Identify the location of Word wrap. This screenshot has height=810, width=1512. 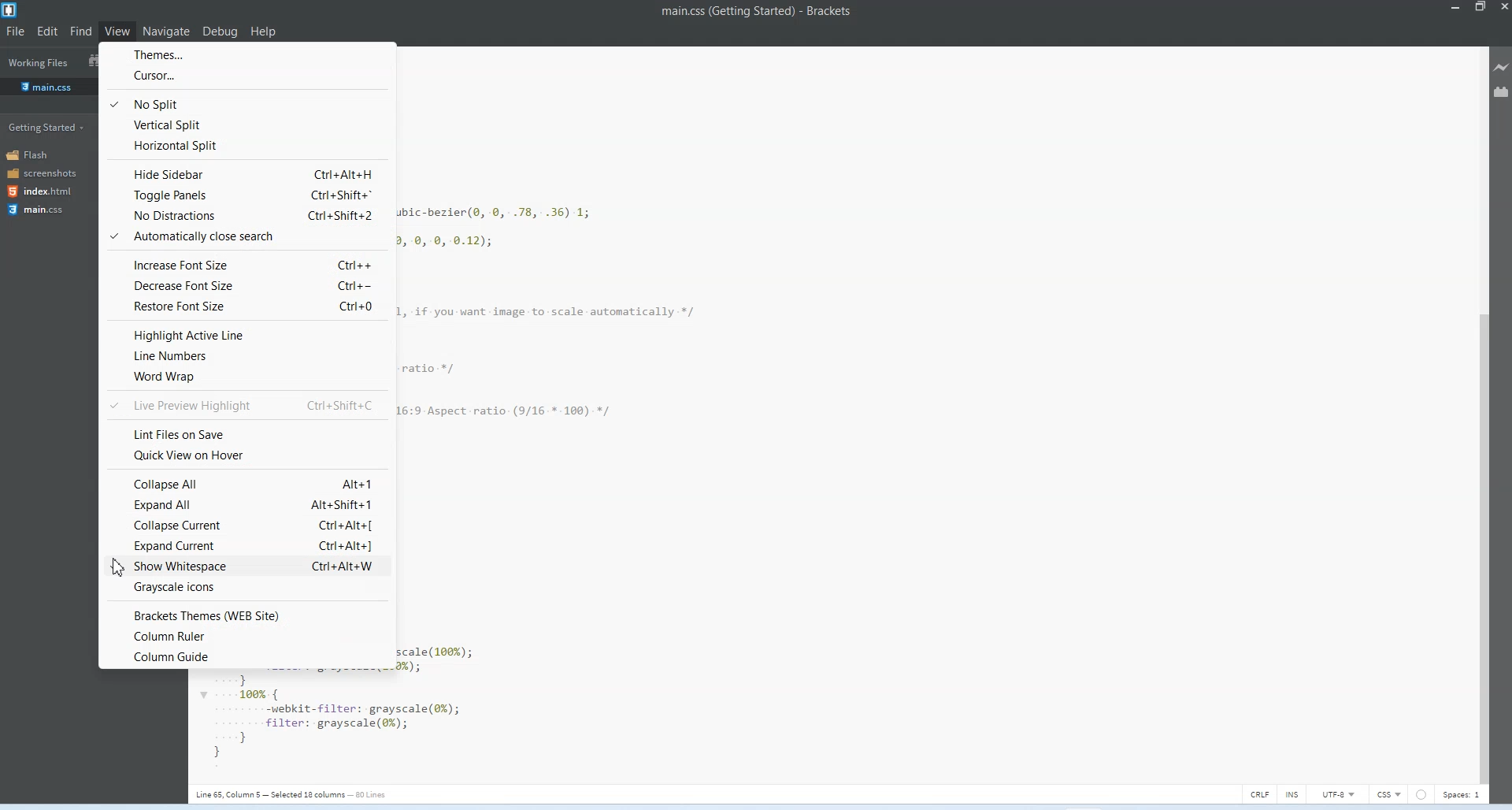
(246, 377).